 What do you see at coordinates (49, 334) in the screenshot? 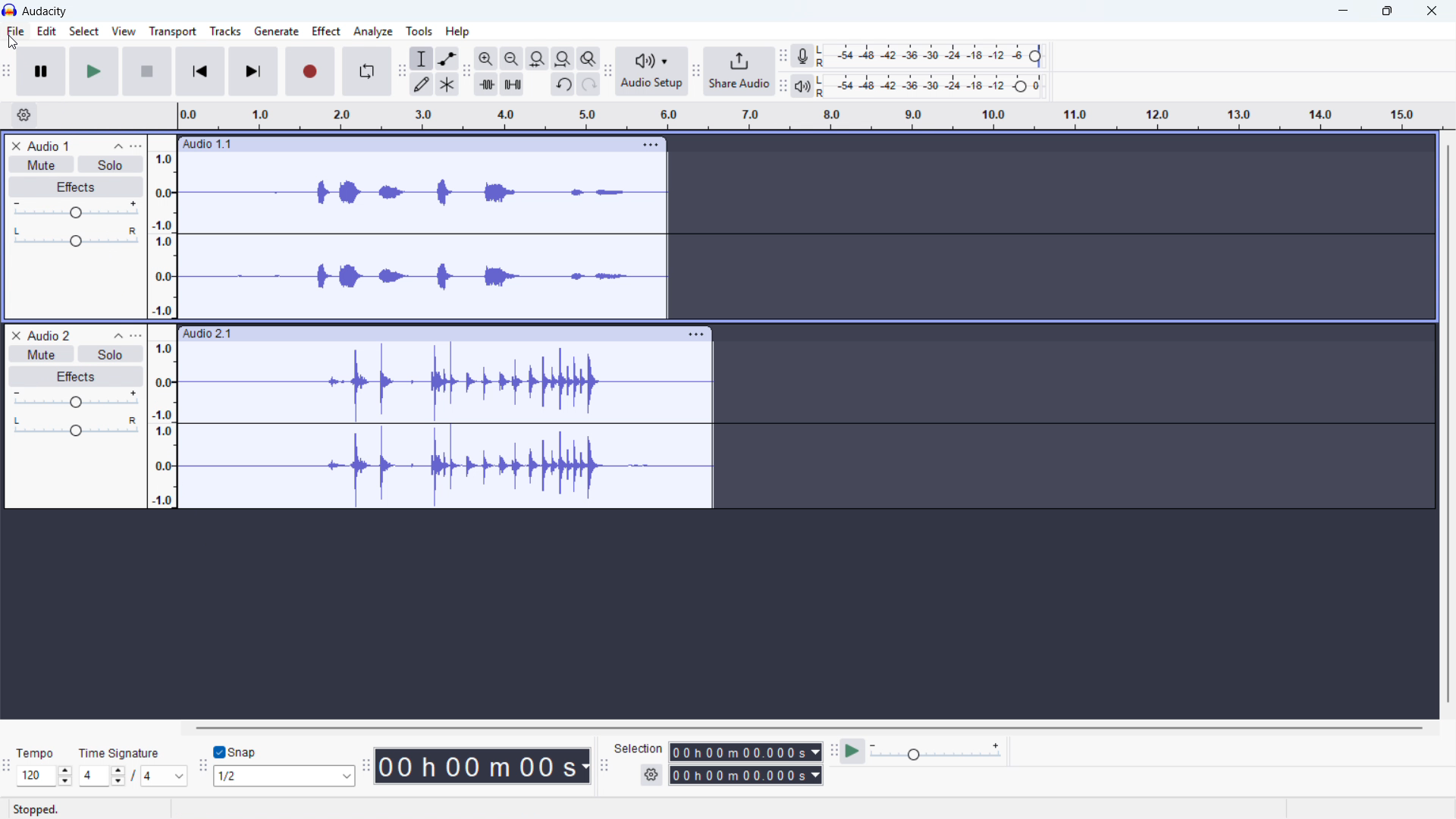
I see `Audio 2` at bounding box center [49, 334].